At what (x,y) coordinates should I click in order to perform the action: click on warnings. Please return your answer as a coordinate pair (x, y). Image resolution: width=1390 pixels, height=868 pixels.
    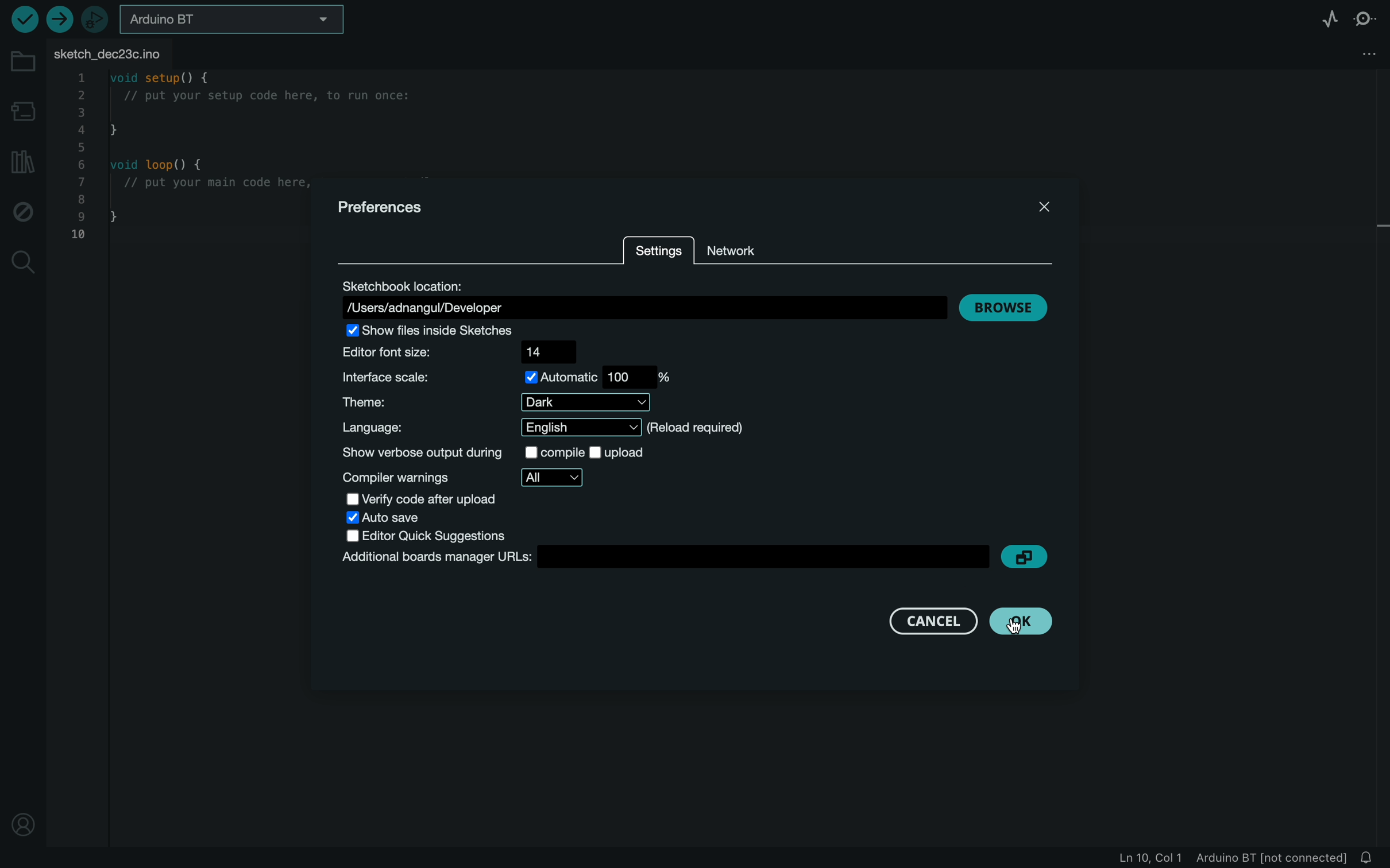
    Looking at the image, I should click on (471, 478).